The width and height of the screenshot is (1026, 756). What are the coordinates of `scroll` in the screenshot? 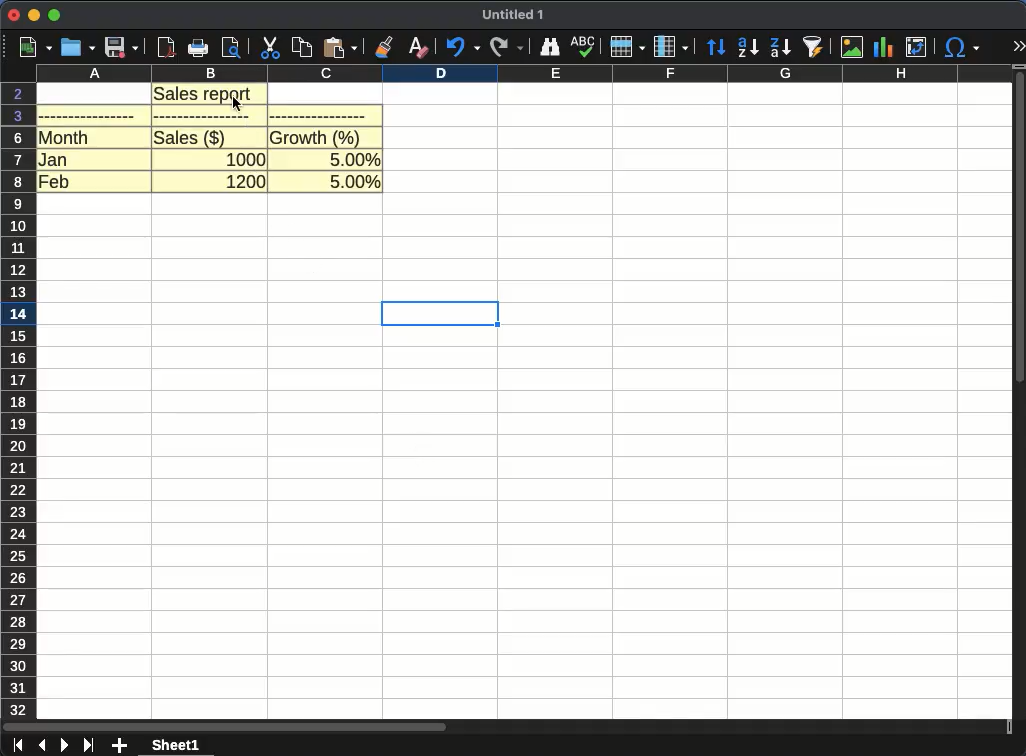 It's located at (504, 728).